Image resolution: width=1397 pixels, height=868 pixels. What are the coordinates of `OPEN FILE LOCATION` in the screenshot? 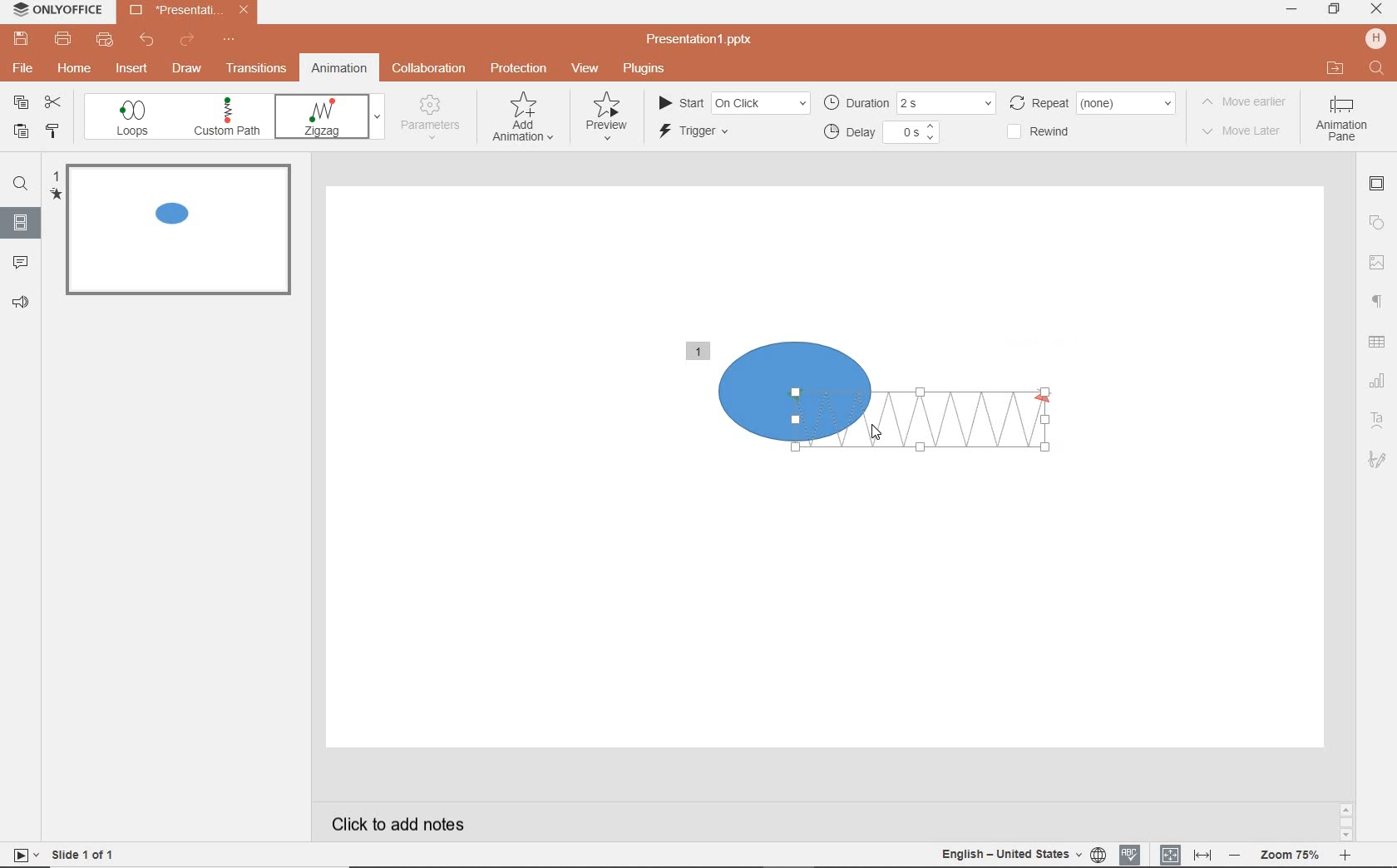 It's located at (1335, 69).